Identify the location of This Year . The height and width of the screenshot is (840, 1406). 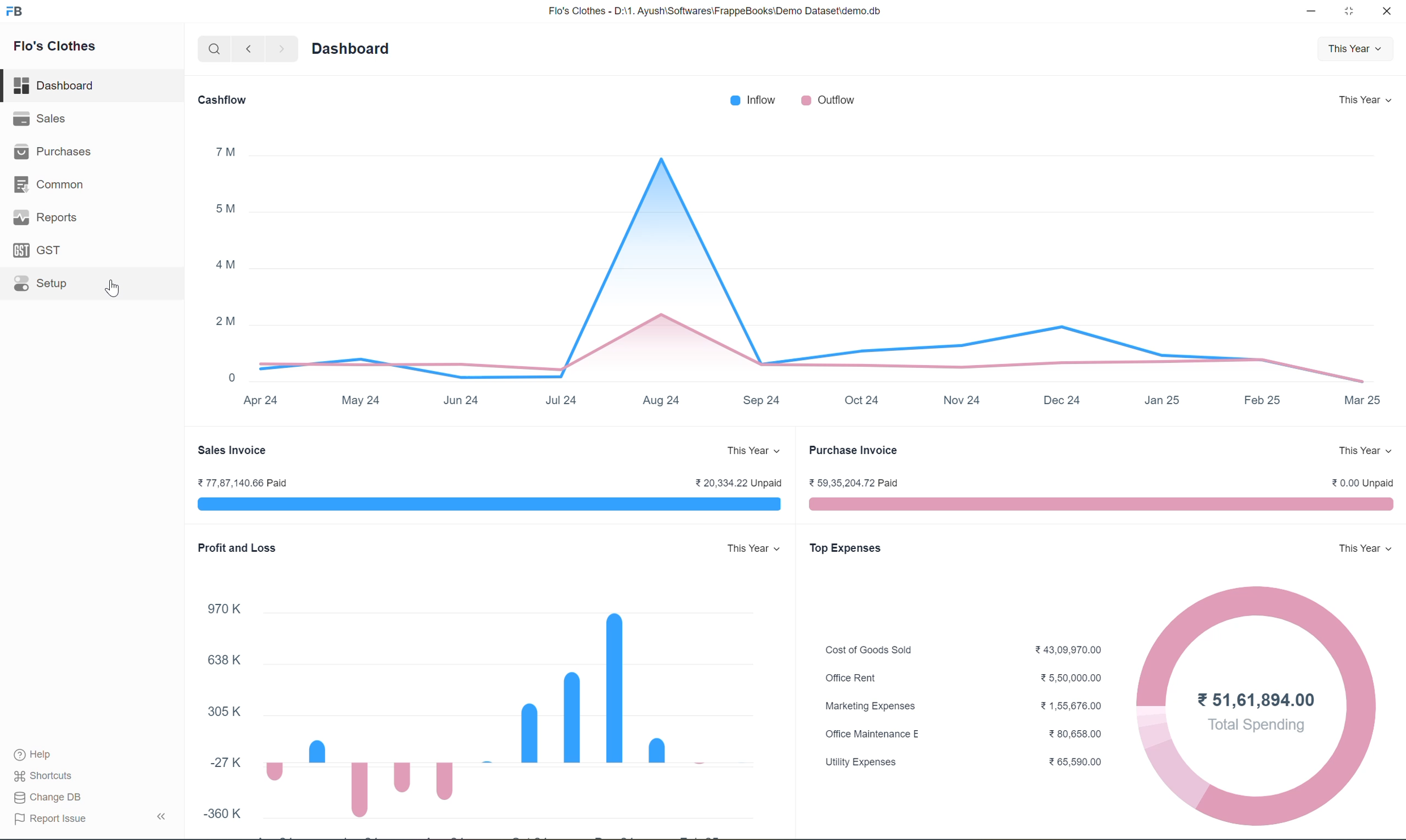
(1355, 49).